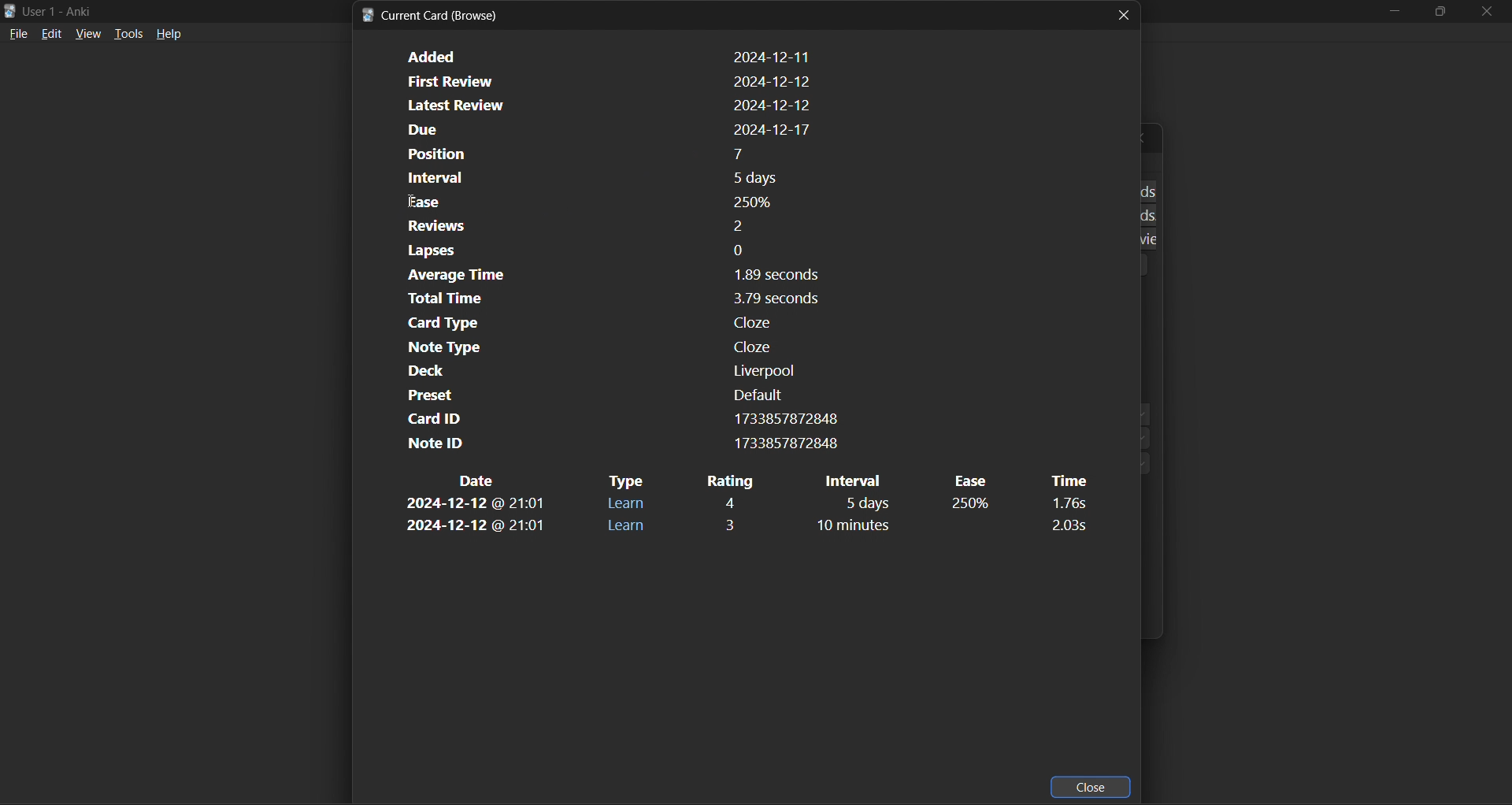 Image resolution: width=1512 pixels, height=805 pixels. I want to click on edit, so click(52, 35).